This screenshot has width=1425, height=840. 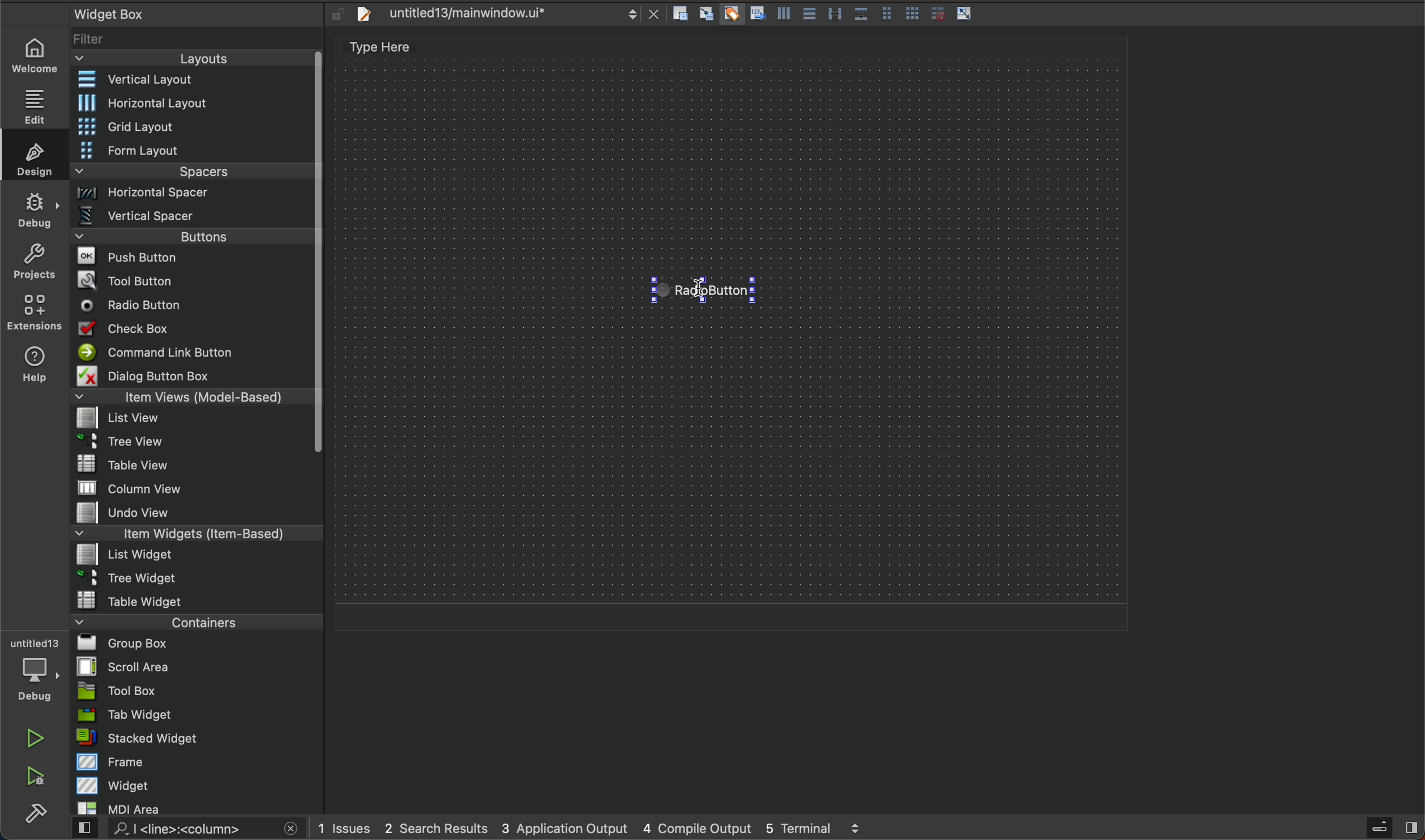 I want to click on tree widget, so click(x=198, y=579).